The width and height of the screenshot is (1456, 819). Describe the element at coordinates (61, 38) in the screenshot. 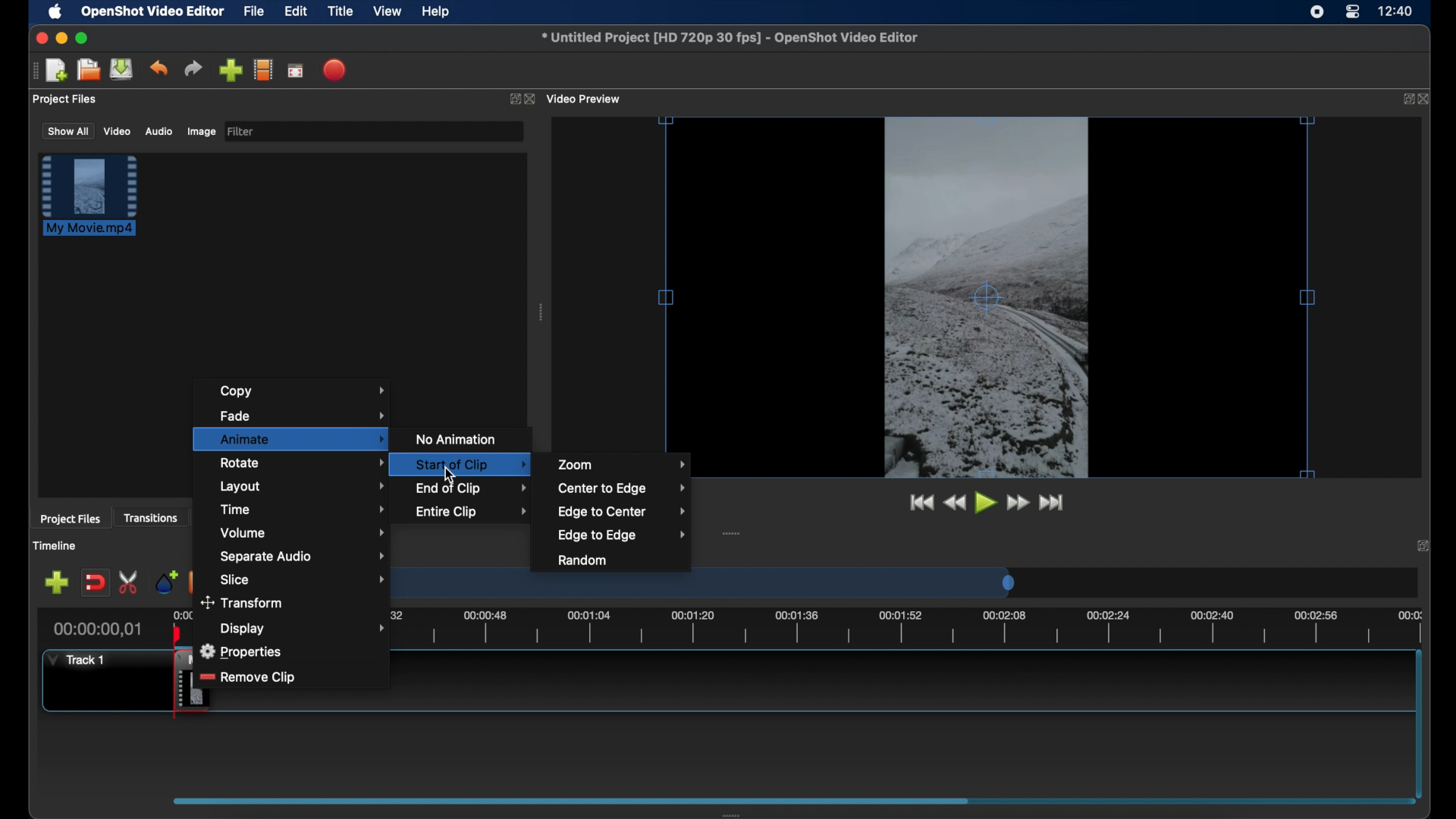

I see `minimize` at that location.